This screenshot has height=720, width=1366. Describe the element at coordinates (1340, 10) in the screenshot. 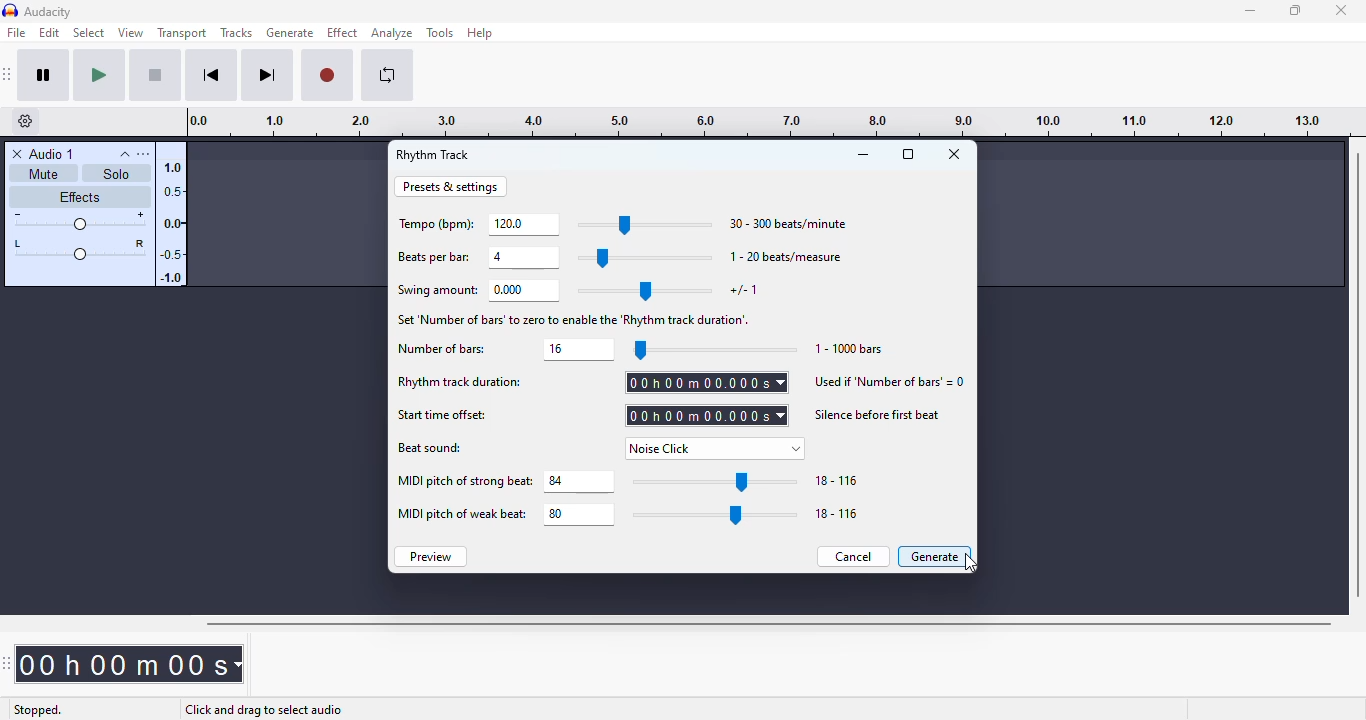

I see `close` at that location.